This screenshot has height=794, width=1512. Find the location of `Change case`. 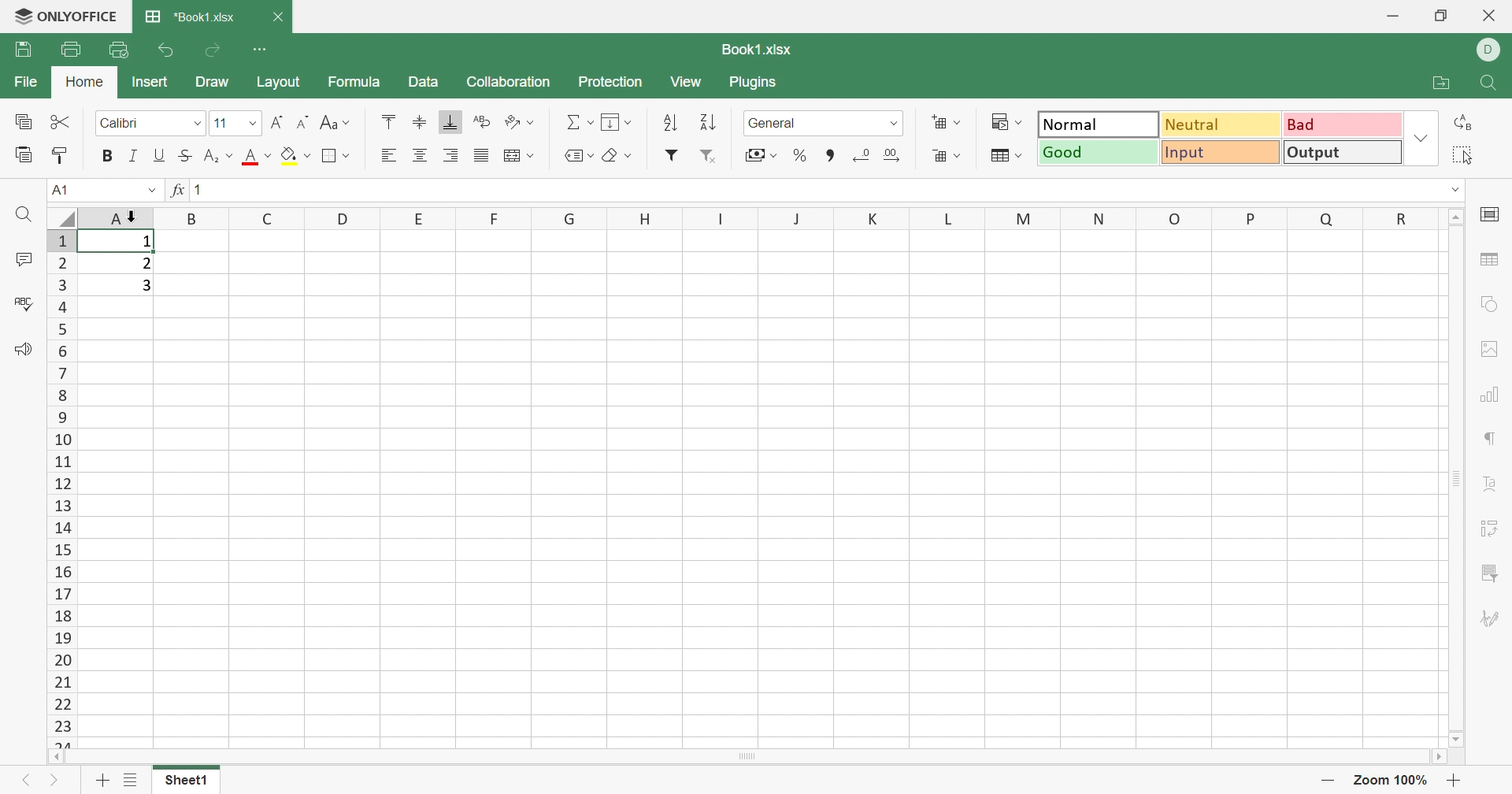

Change case is located at coordinates (336, 122).